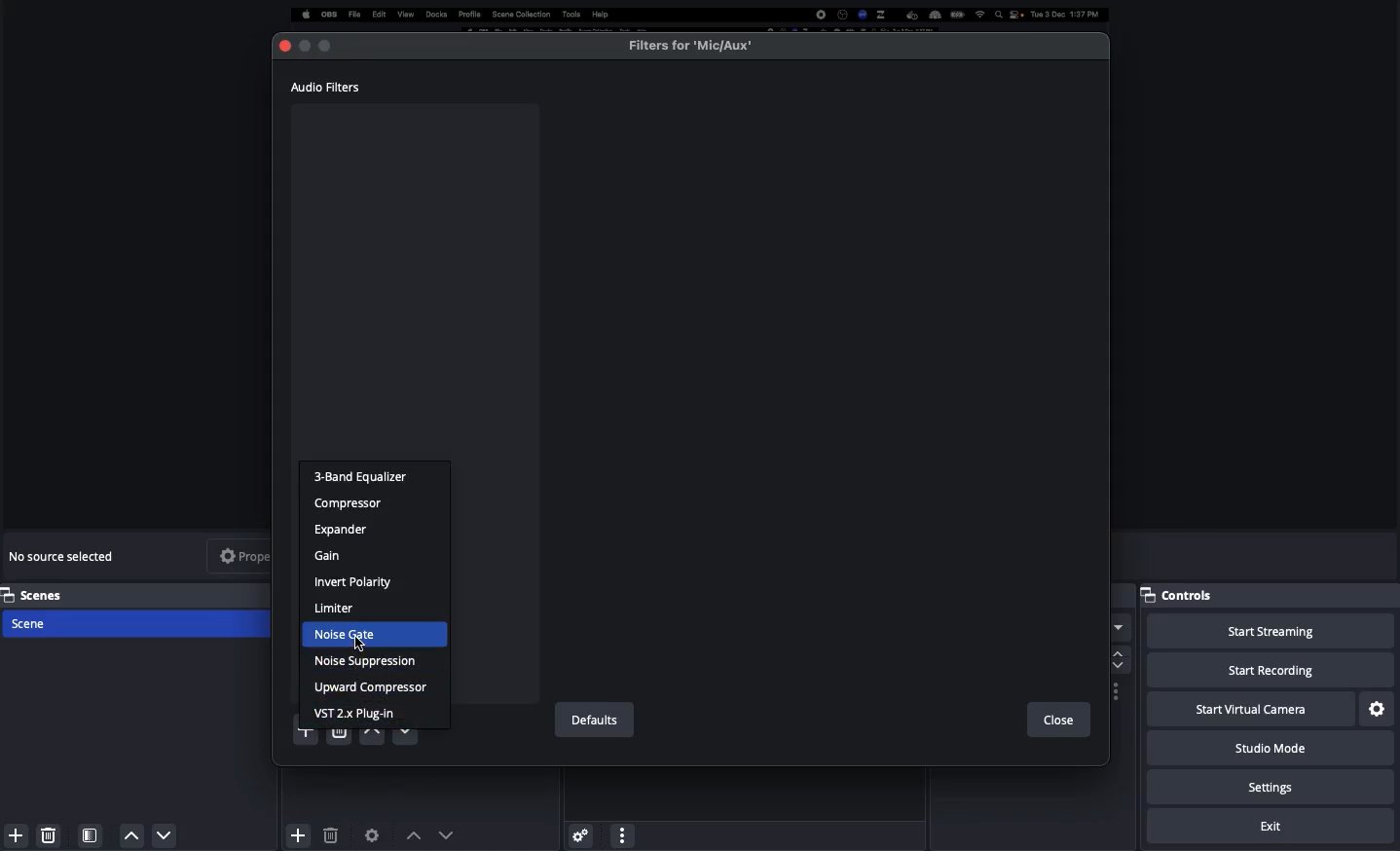  Describe the element at coordinates (296, 832) in the screenshot. I see `Add` at that location.